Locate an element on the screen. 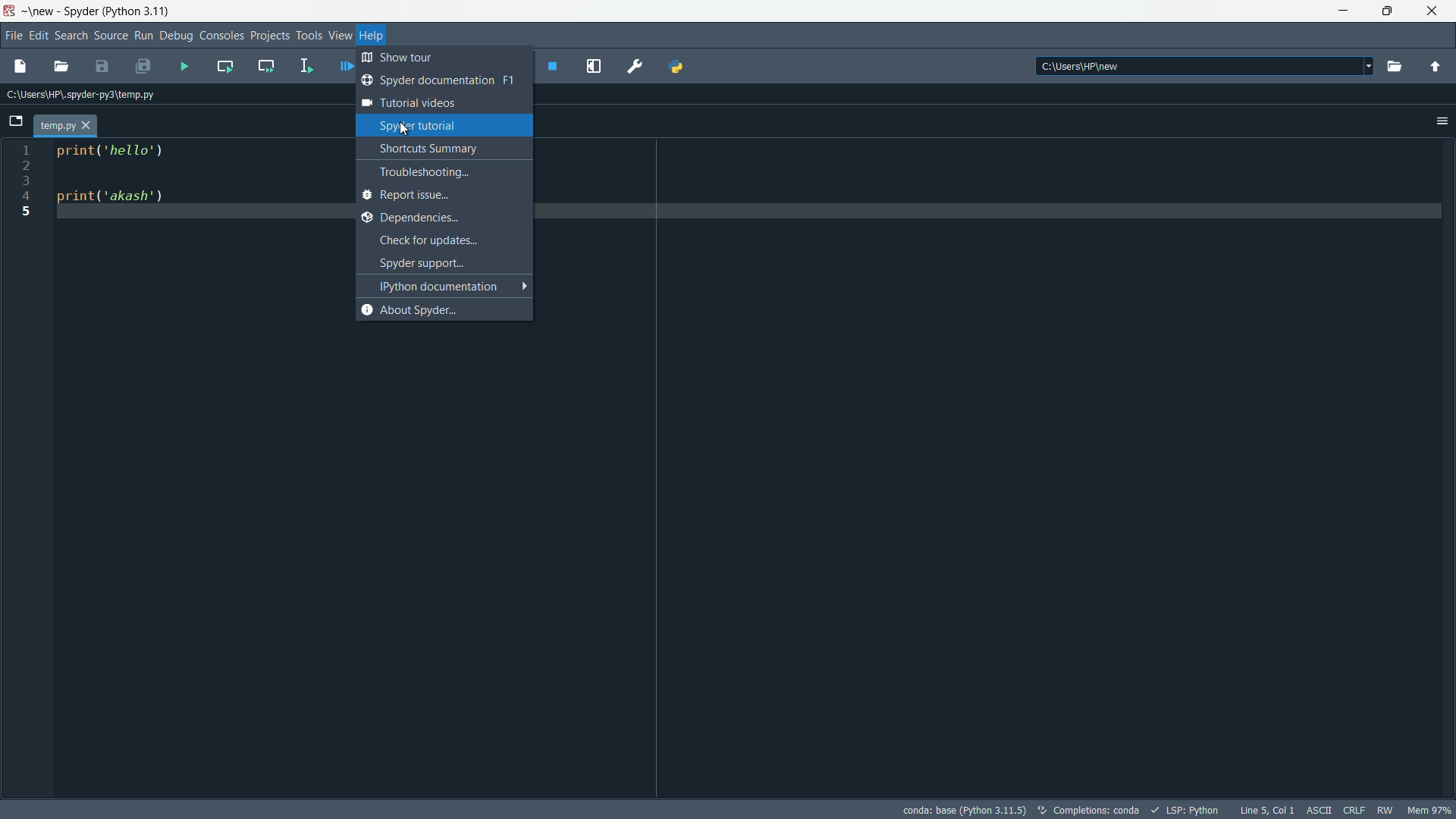 The image size is (1456, 819). file name is located at coordinates (64, 124).